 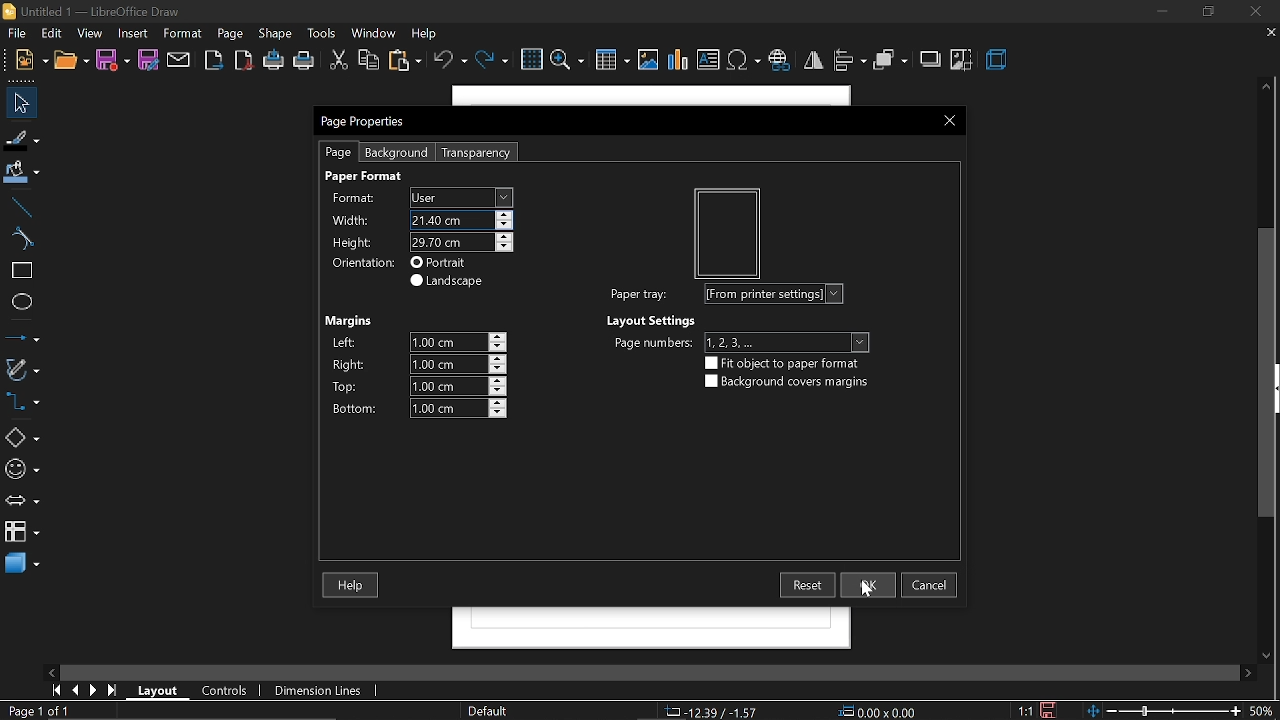 I want to click on fill color, so click(x=22, y=171).